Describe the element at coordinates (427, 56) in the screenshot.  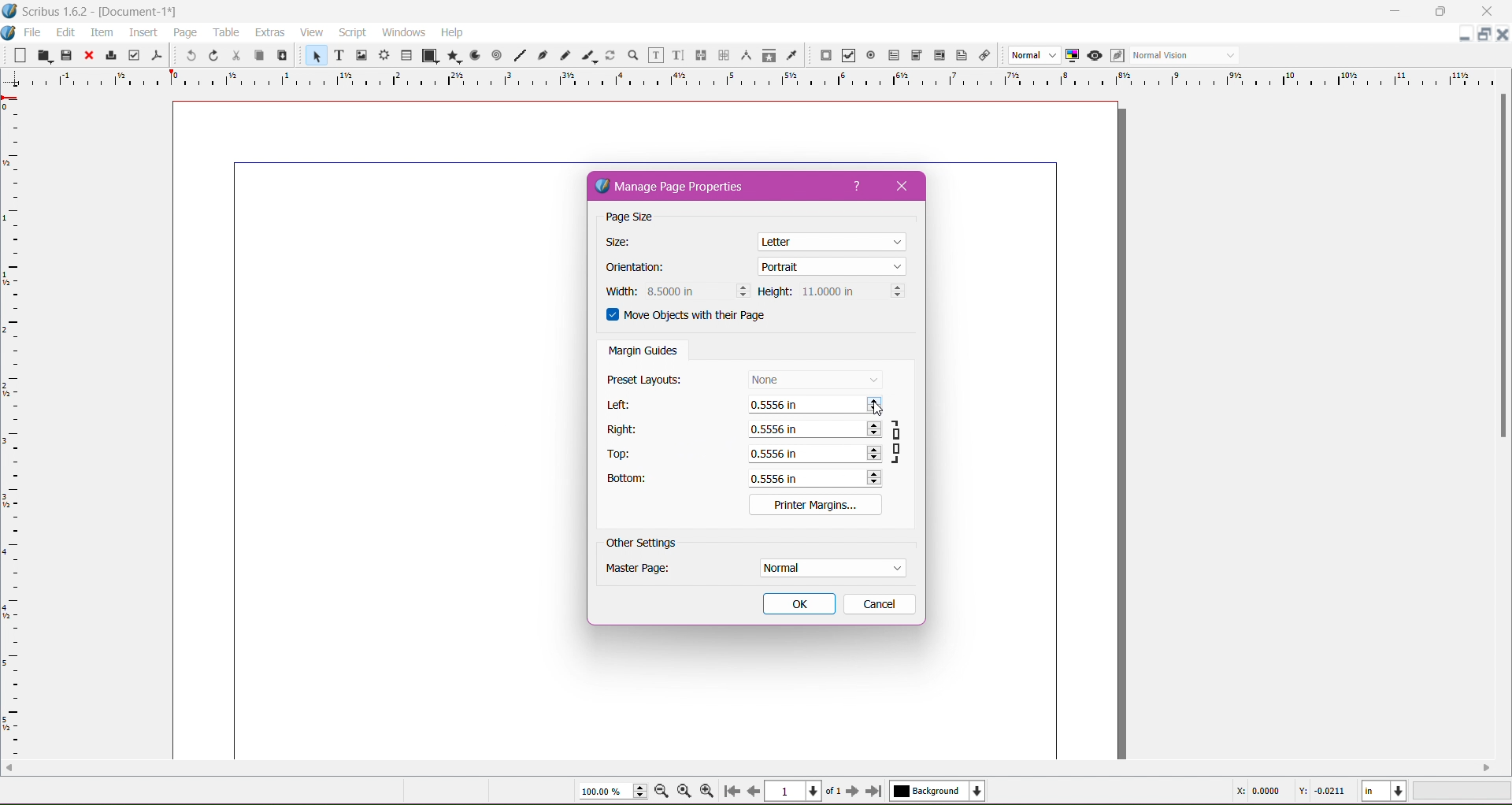
I see `Shape` at that location.